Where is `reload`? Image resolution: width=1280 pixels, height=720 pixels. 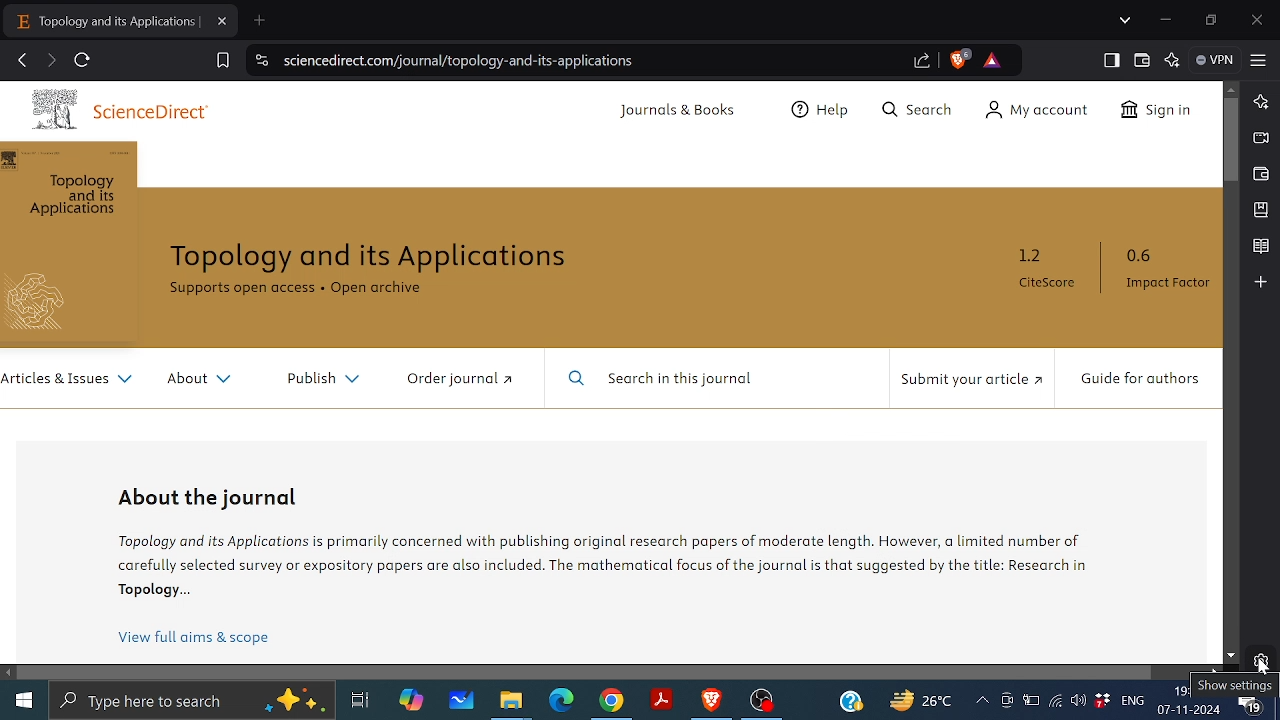 reload is located at coordinates (81, 59).